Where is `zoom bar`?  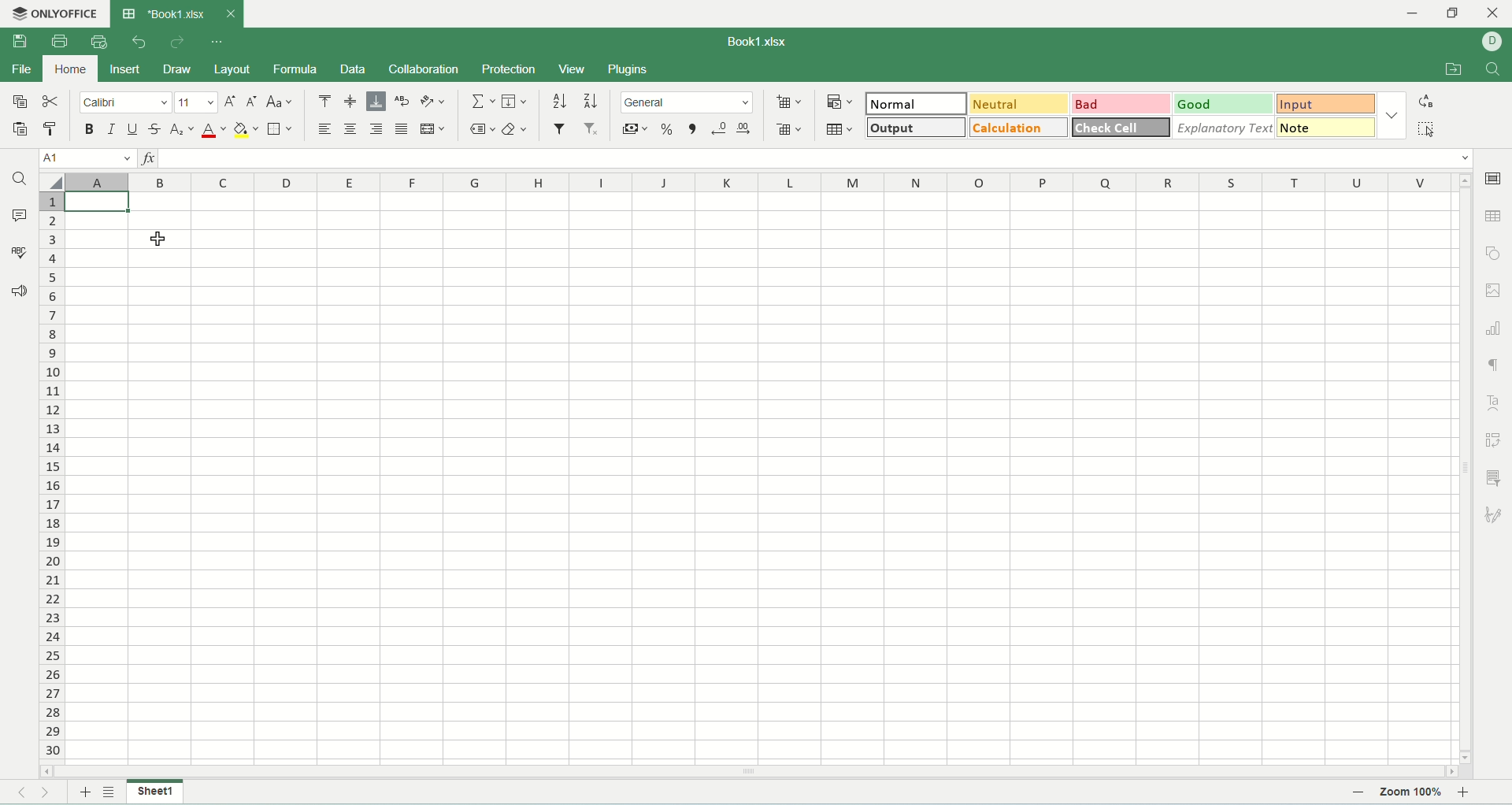 zoom bar is located at coordinates (1375, 793).